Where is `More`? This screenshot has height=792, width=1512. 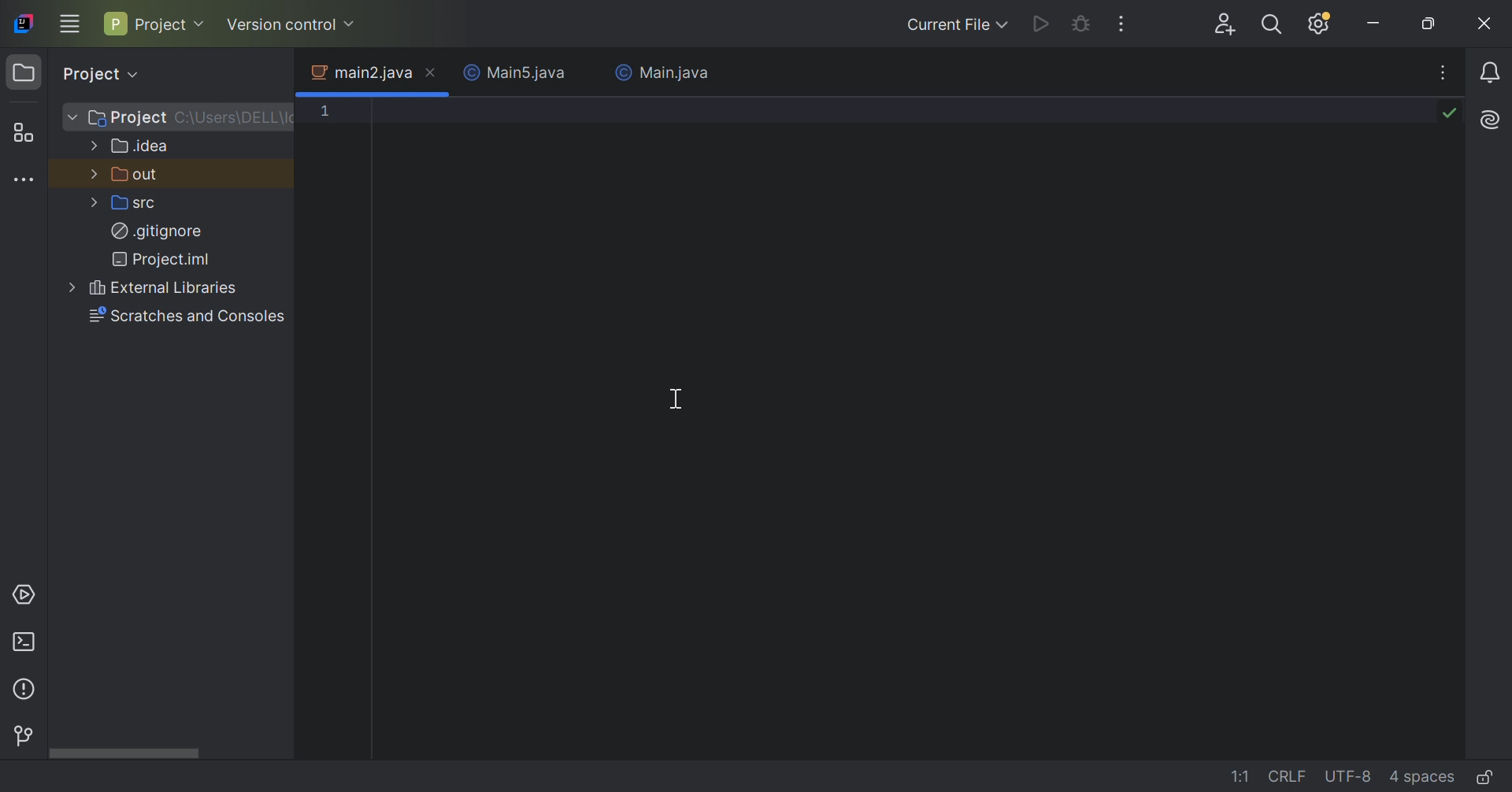
More is located at coordinates (91, 203).